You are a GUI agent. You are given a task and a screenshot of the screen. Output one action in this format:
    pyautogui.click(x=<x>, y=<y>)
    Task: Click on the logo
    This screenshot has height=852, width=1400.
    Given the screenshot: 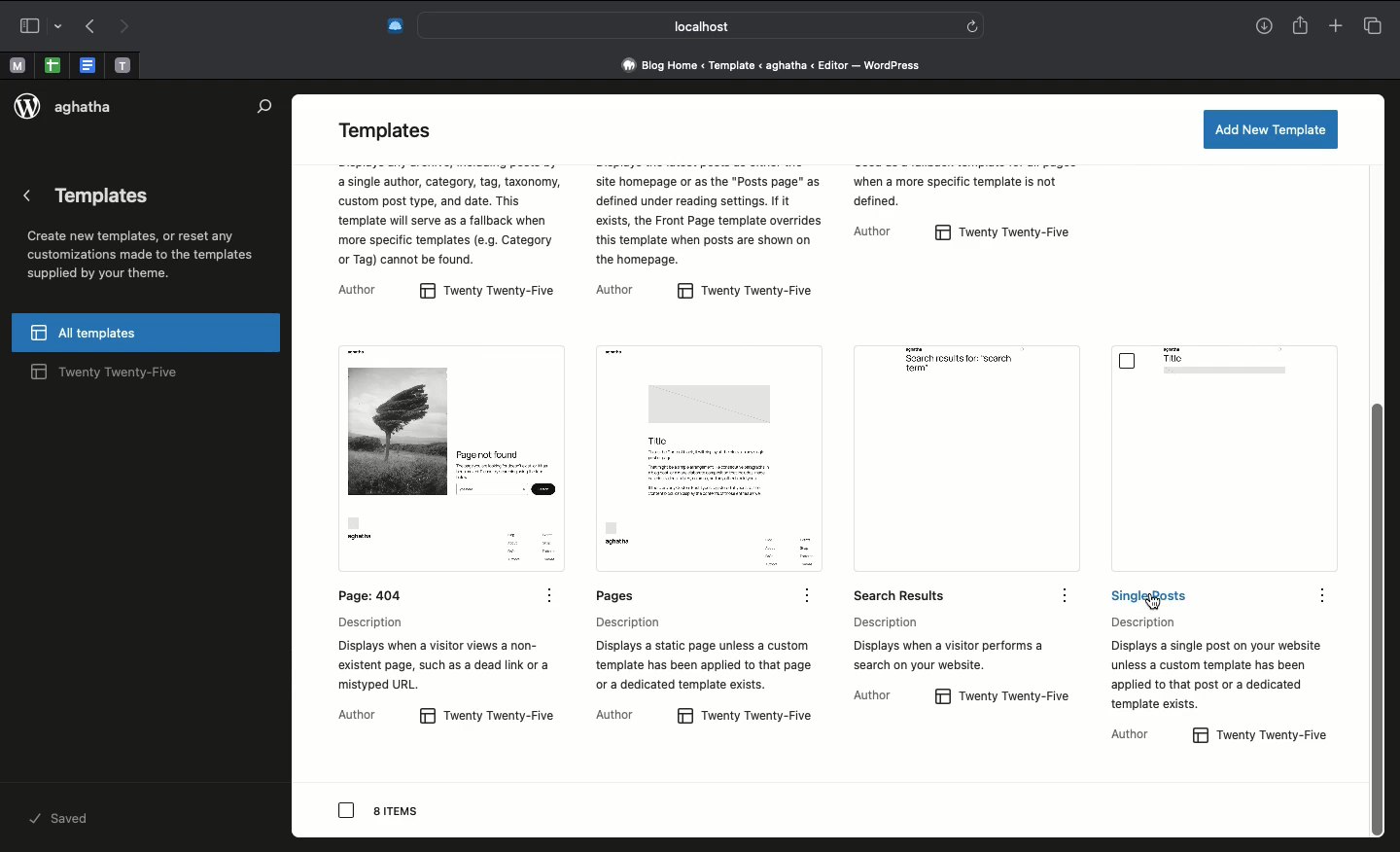 What is the action you would take?
    pyautogui.click(x=25, y=106)
    